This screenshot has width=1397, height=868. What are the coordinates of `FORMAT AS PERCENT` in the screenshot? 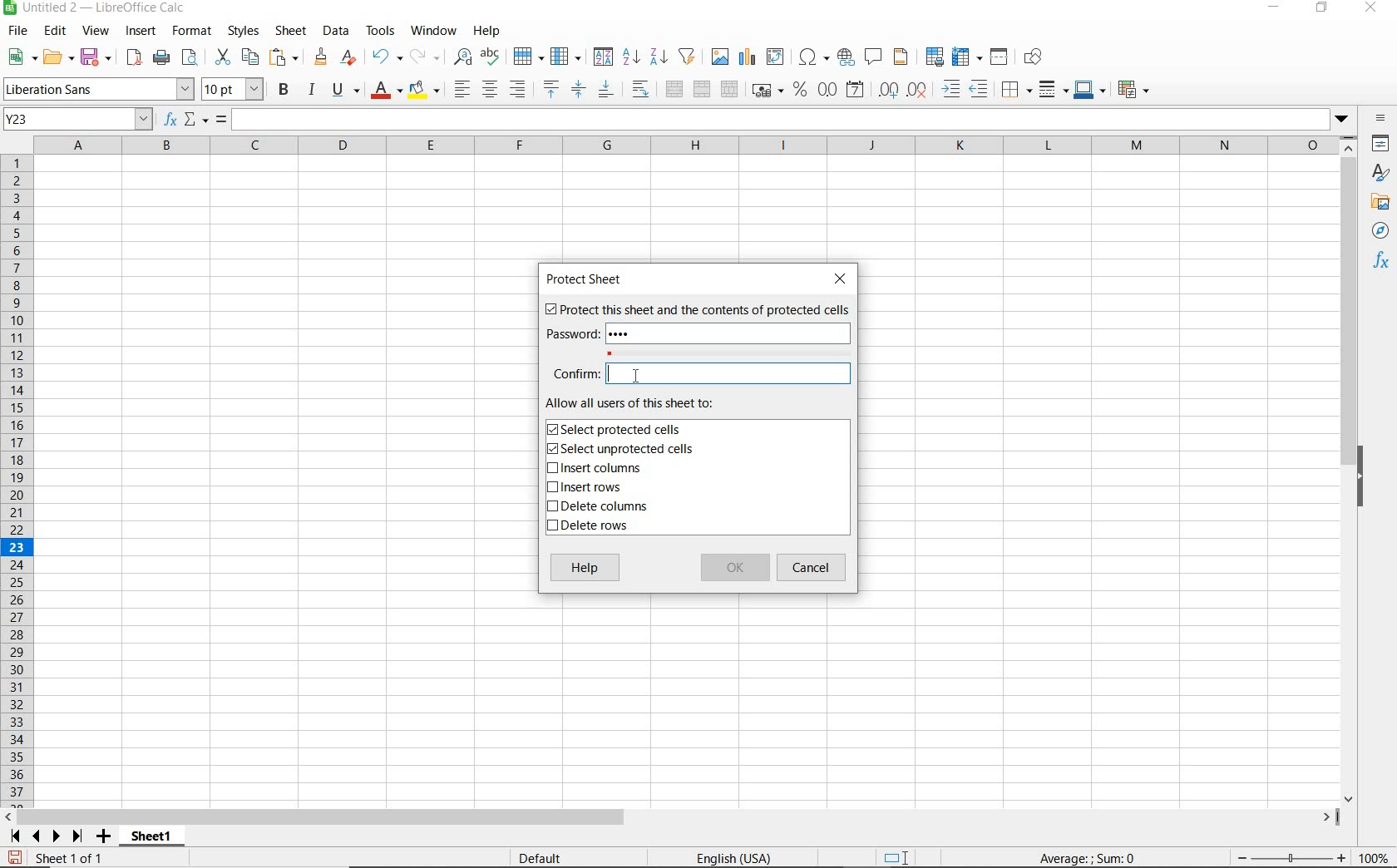 It's located at (800, 91).